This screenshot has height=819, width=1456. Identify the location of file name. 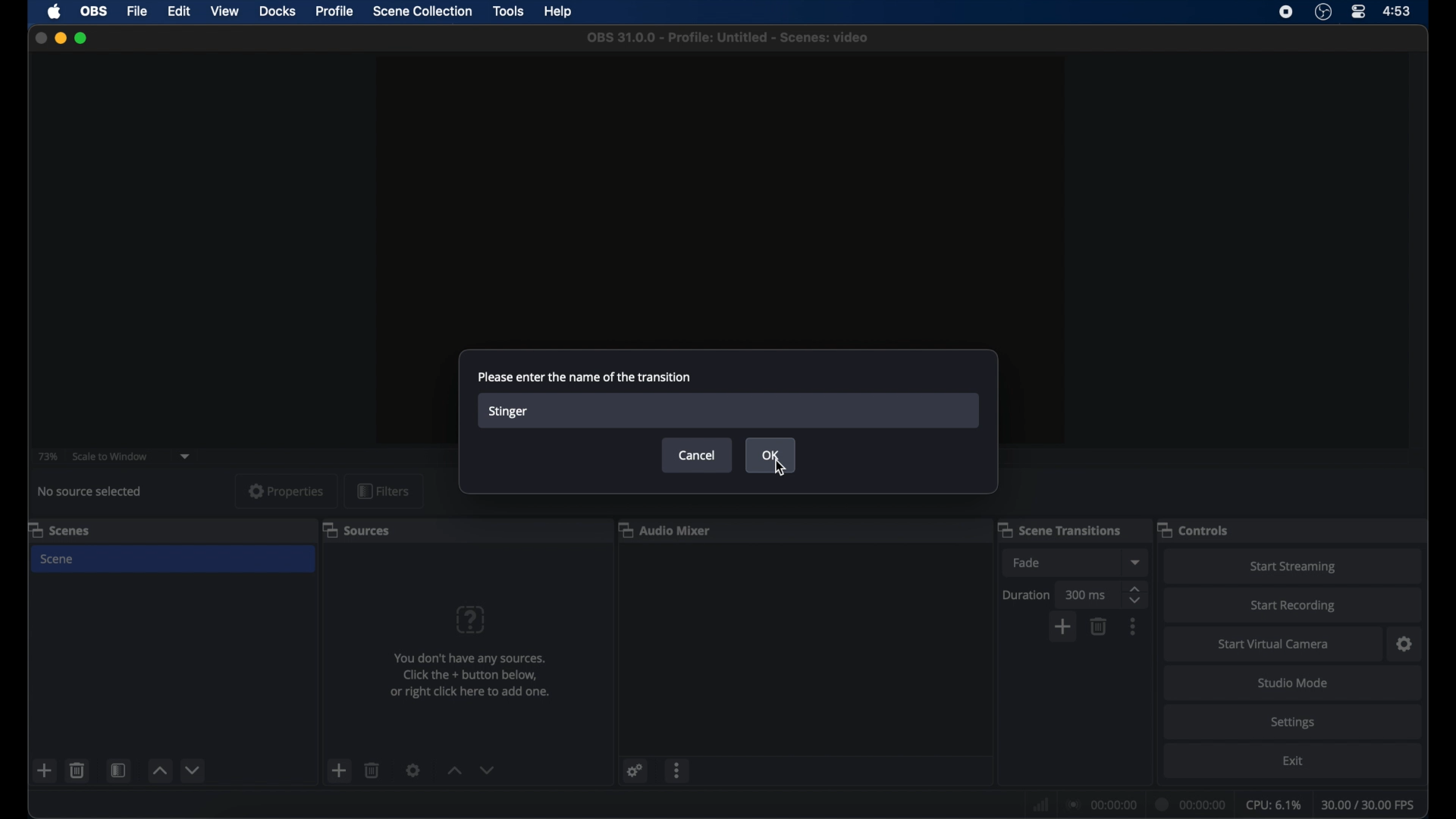
(729, 38).